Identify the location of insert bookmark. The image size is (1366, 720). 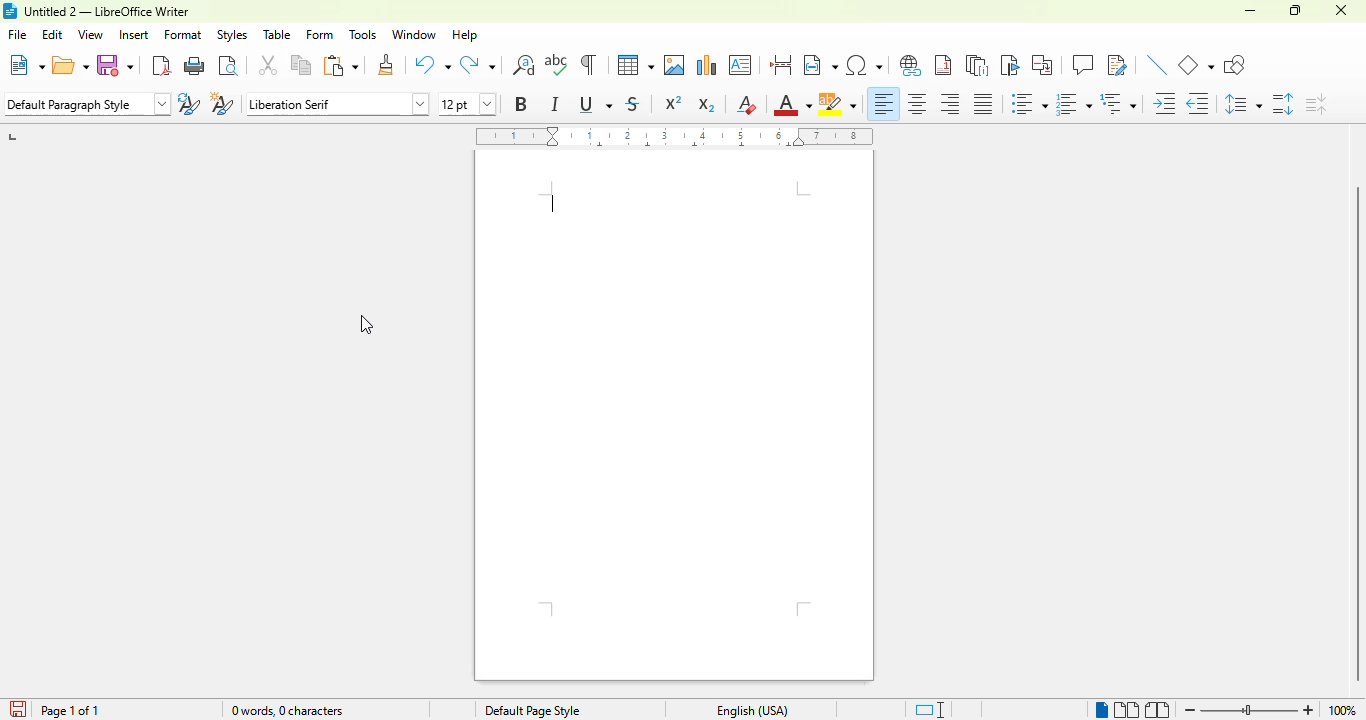
(1009, 65).